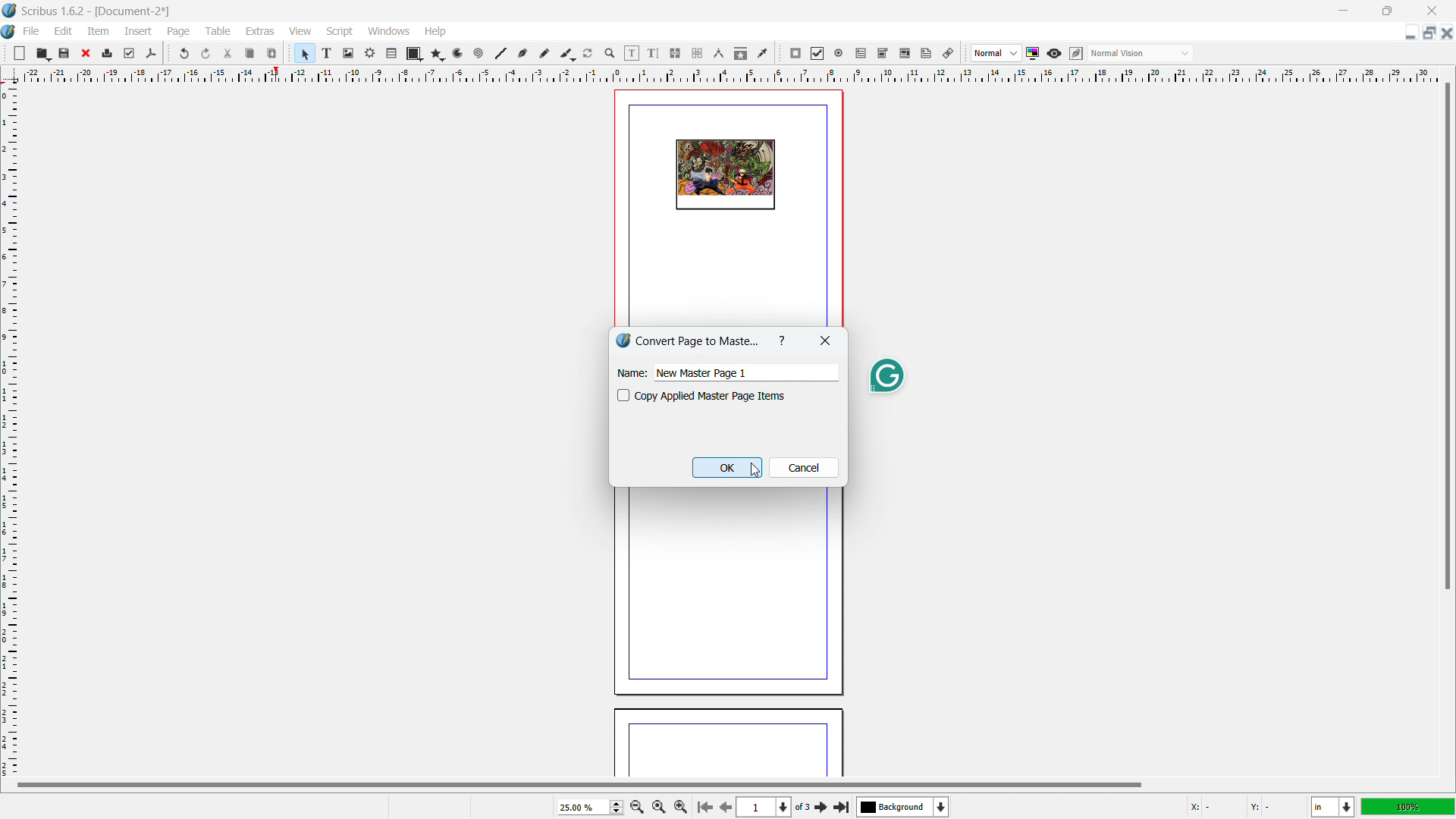 Image resolution: width=1456 pixels, height=819 pixels. What do you see at coordinates (522, 54) in the screenshot?
I see `bezier curve` at bounding box center [522, 54].